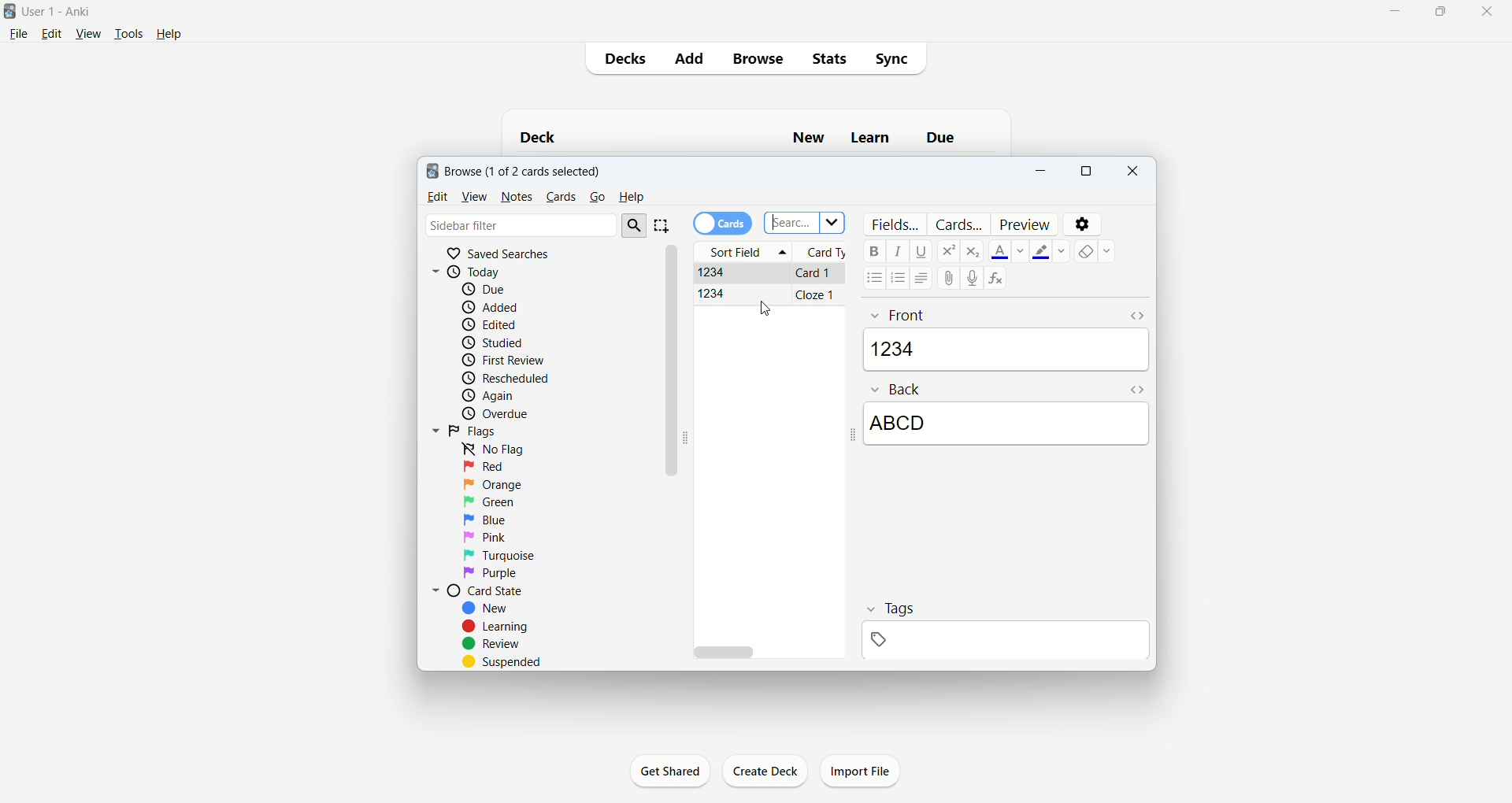  What do you see at coordinates (9, 10) in the screenshot?
I see `logo` at bounding box center [9, 10].